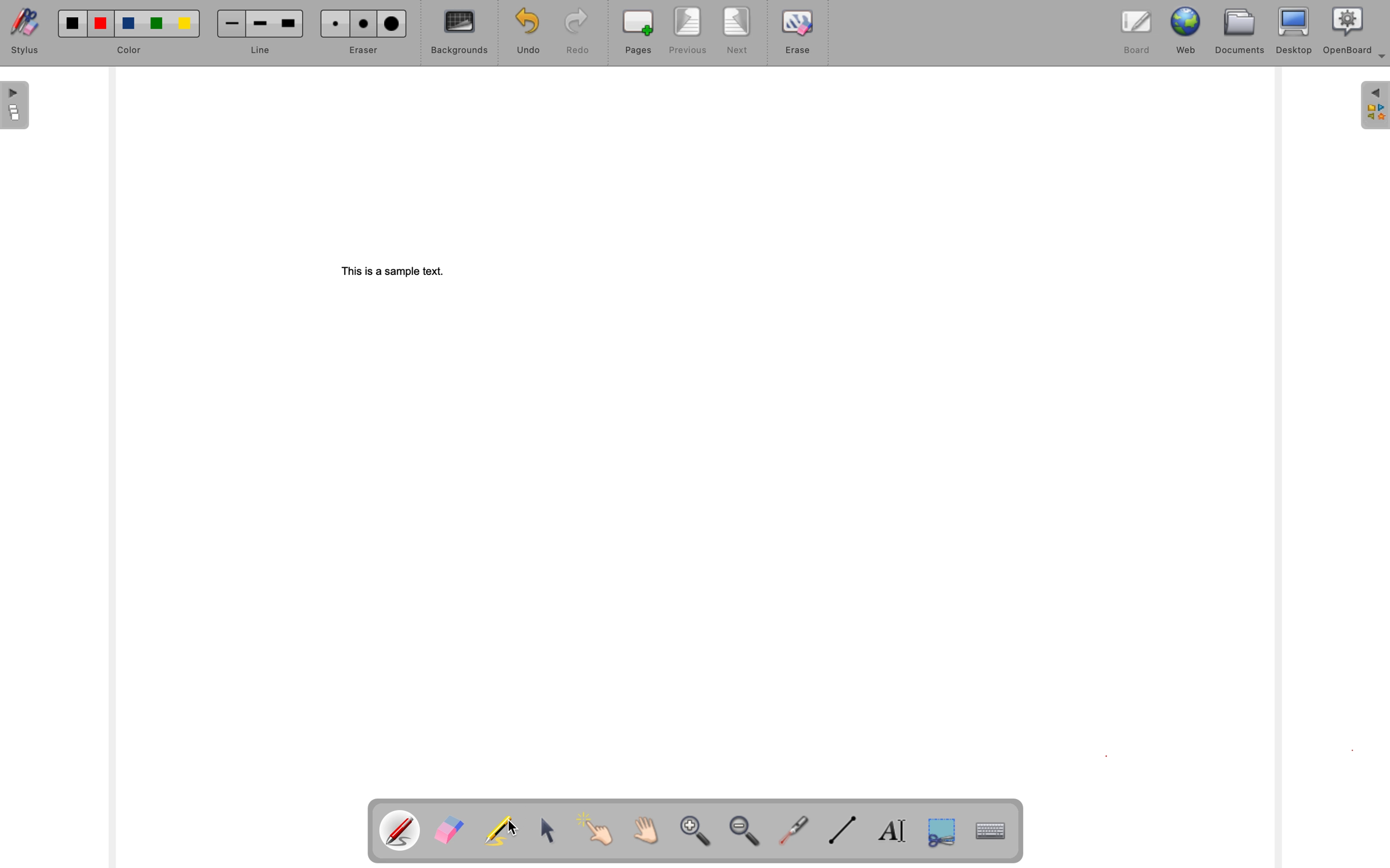 This screenshot has width=1390, height=868. Describe the element at coordinates (572, 33) in the screenshot. I see `redo` at that location.